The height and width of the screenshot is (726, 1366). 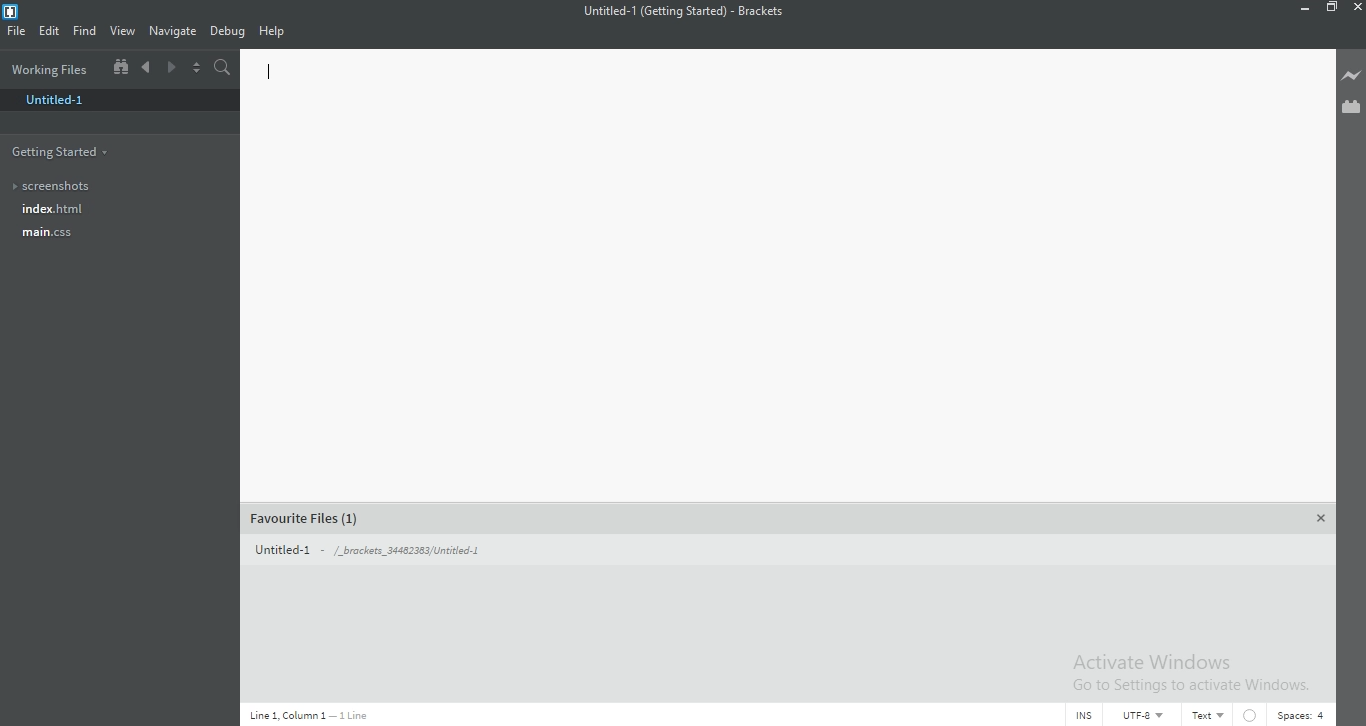 What do you see at coordinates (1331, 10) in the screenshot?
I see `Restore` at bounding box center [1331, 10].